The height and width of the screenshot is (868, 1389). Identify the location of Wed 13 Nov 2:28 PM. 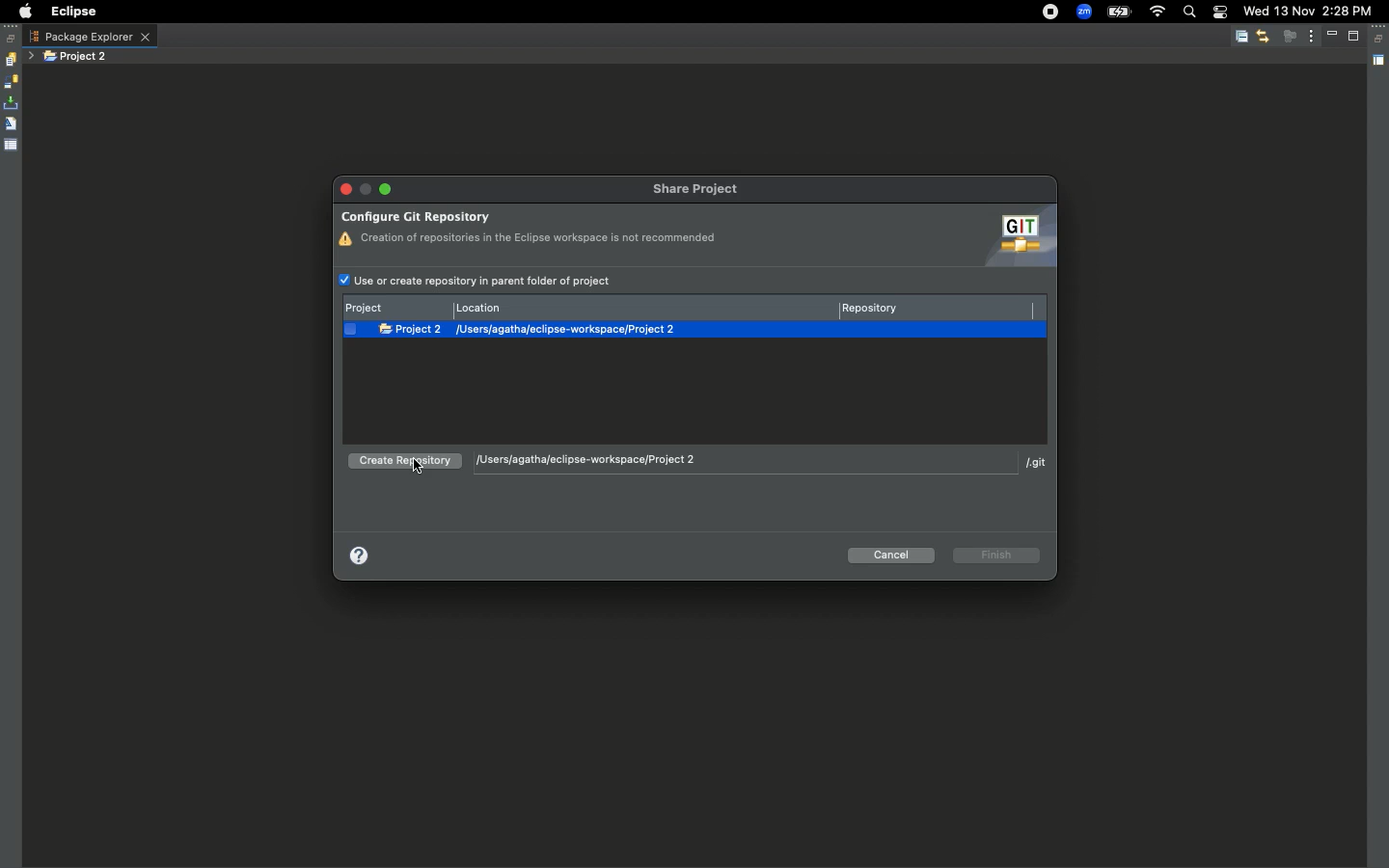
(1307, 10).